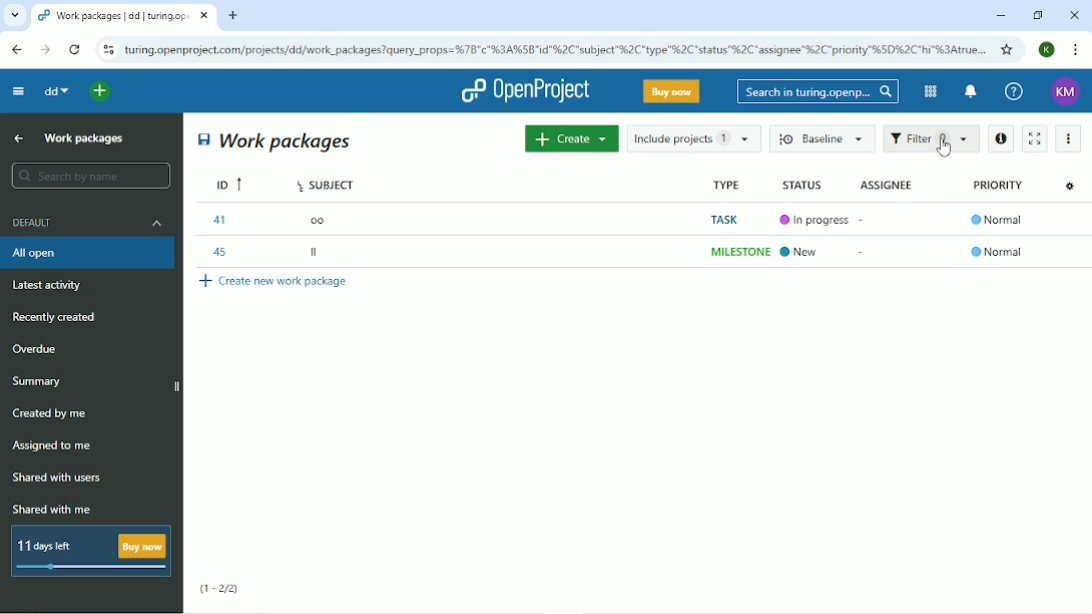 The image size is (1092, 614). I want to click on Work packages, so click(276, 140).